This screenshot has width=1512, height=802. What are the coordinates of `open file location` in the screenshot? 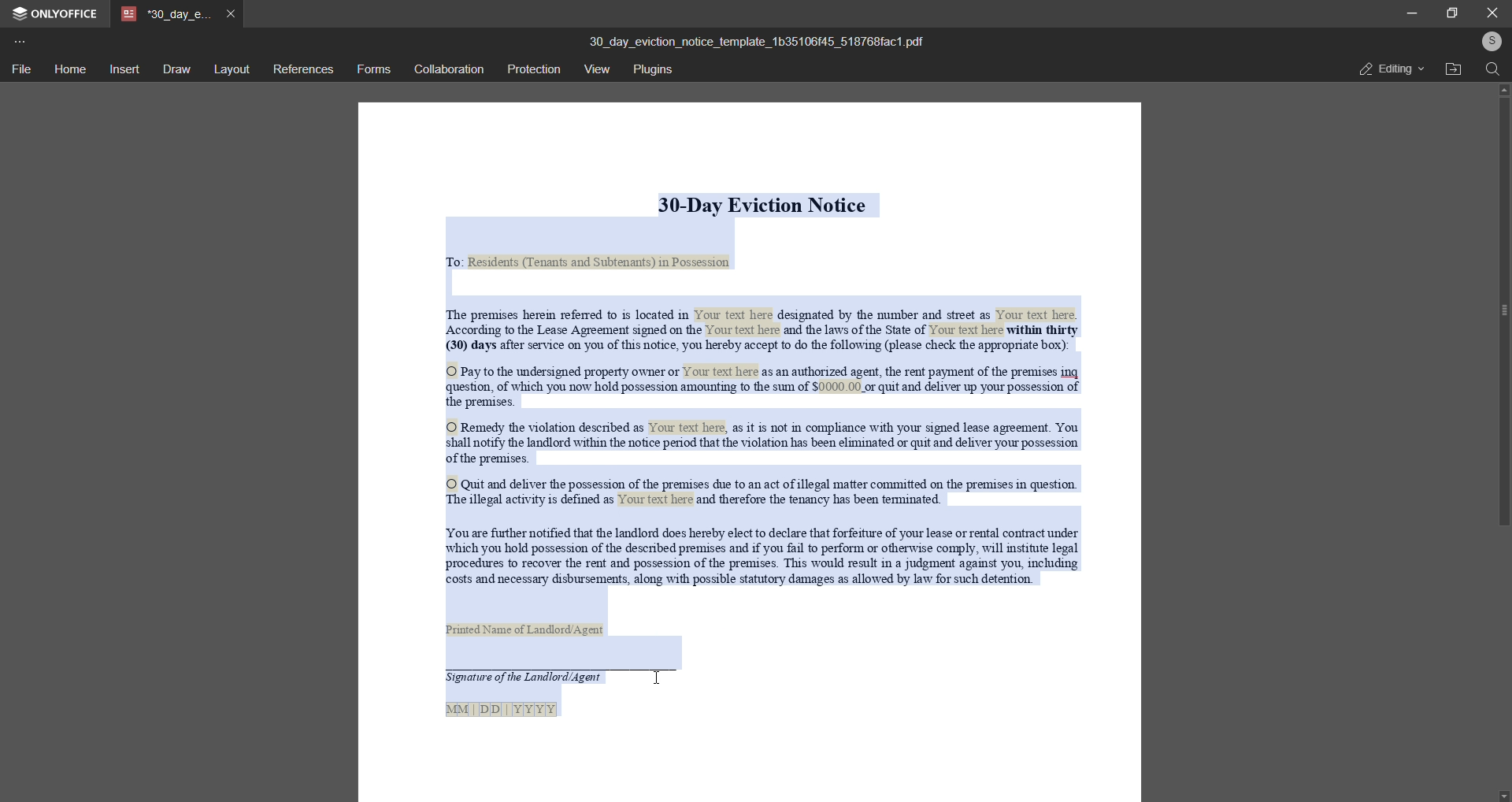 It's located at (1453, 69).